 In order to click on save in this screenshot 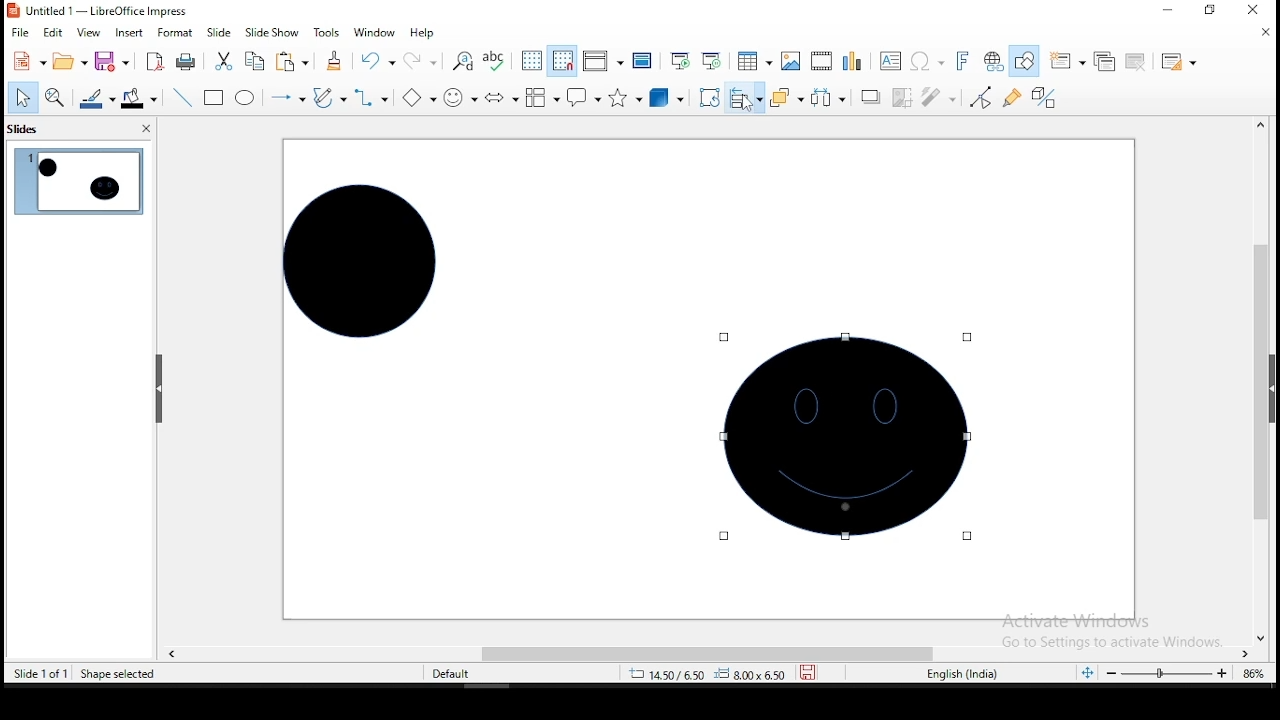, I will do `click(112, 63)`.